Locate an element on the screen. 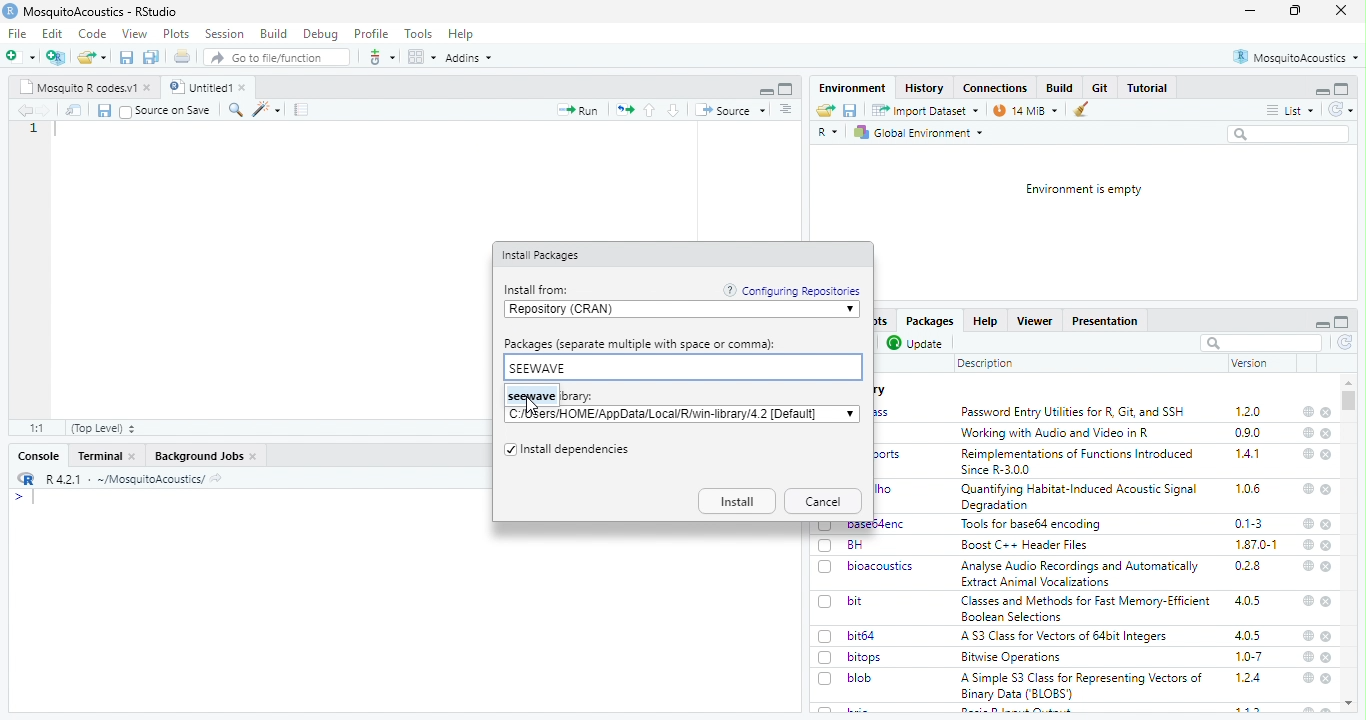 This screenshot has height=720, width=1366. Install from: is located at coordinates (539, 290).